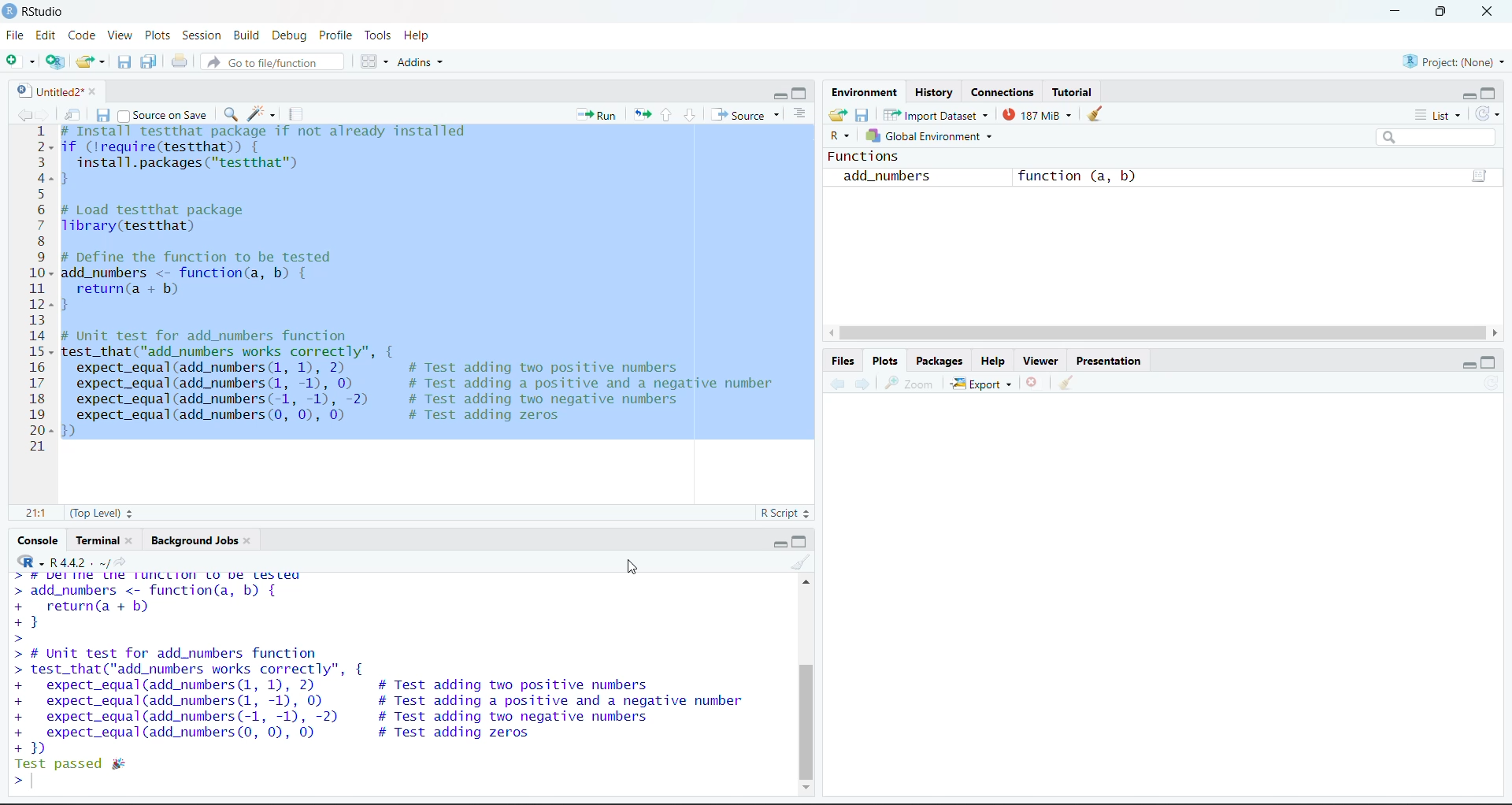  What do you see at coordinates (1110, 361) in the screenshot?
I see `Presentation` at bounding box center [1110, 361].